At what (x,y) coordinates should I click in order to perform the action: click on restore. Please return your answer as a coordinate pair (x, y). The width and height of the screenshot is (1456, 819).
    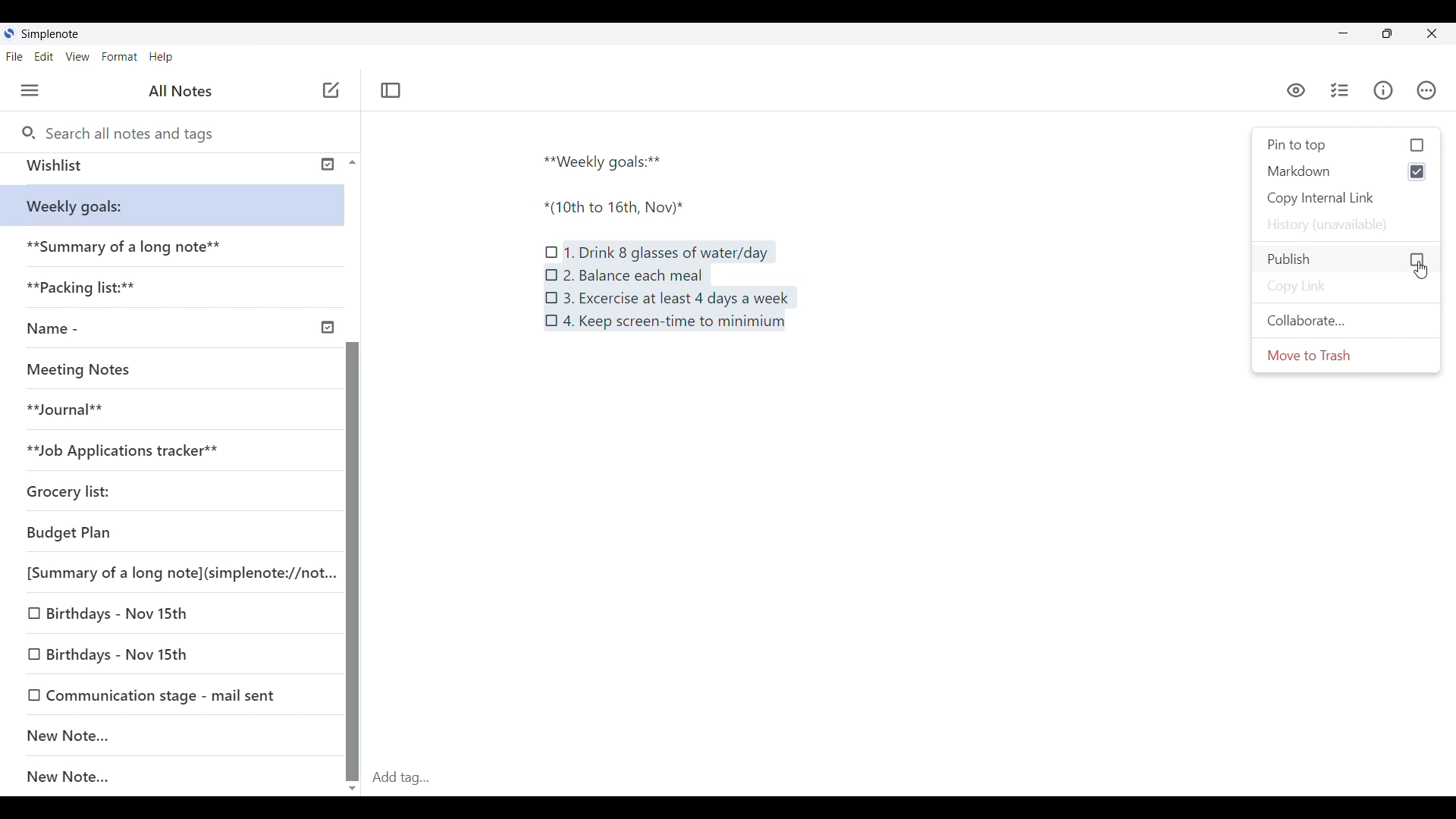
    Looking at the image, I should click on (1400, 36).